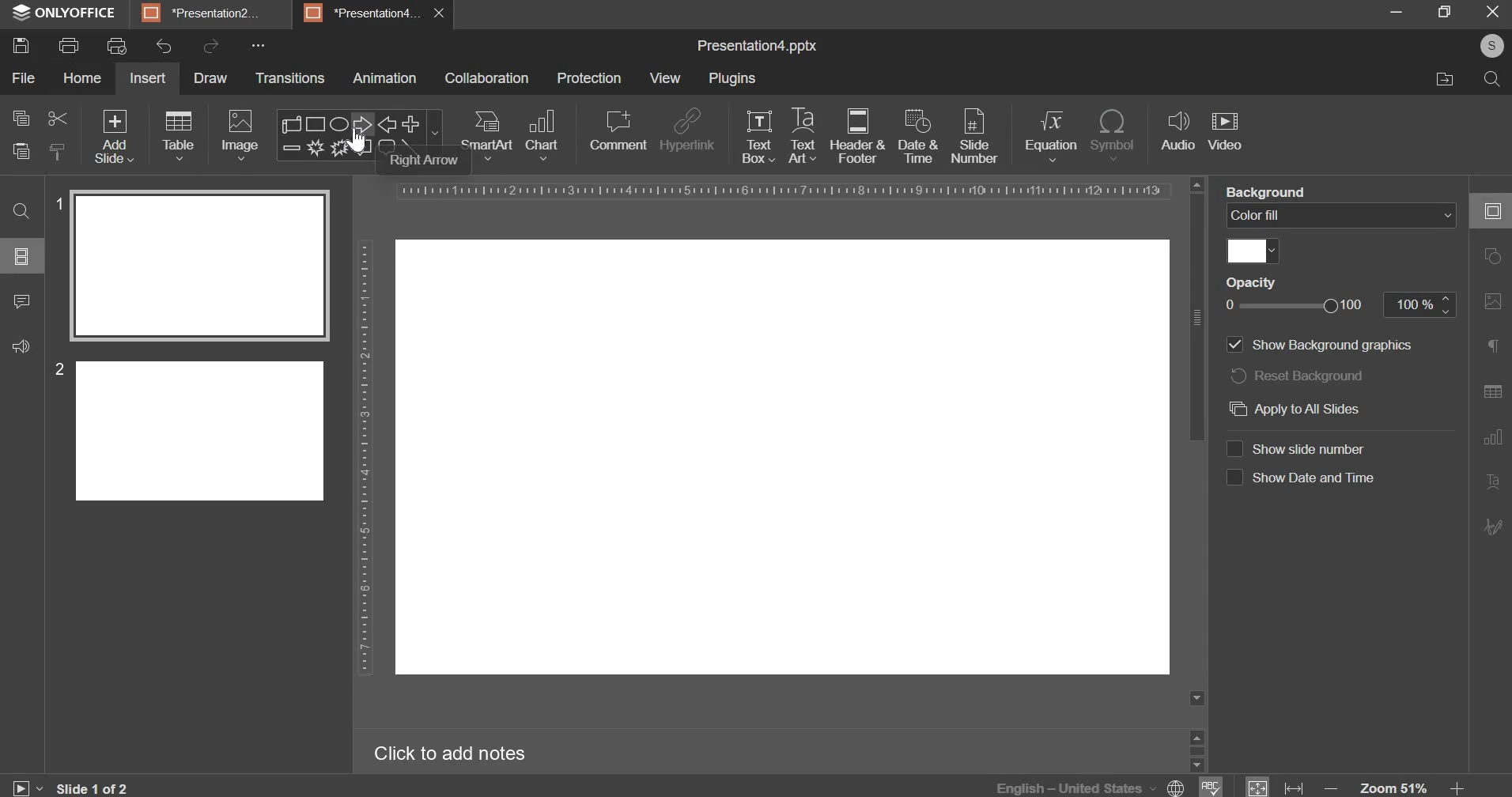 The image size is (1512, 797). What do you see at coordinates (452, 755) in the screenshot?
I see `Click to add notes` at bounding box center [452, 755].